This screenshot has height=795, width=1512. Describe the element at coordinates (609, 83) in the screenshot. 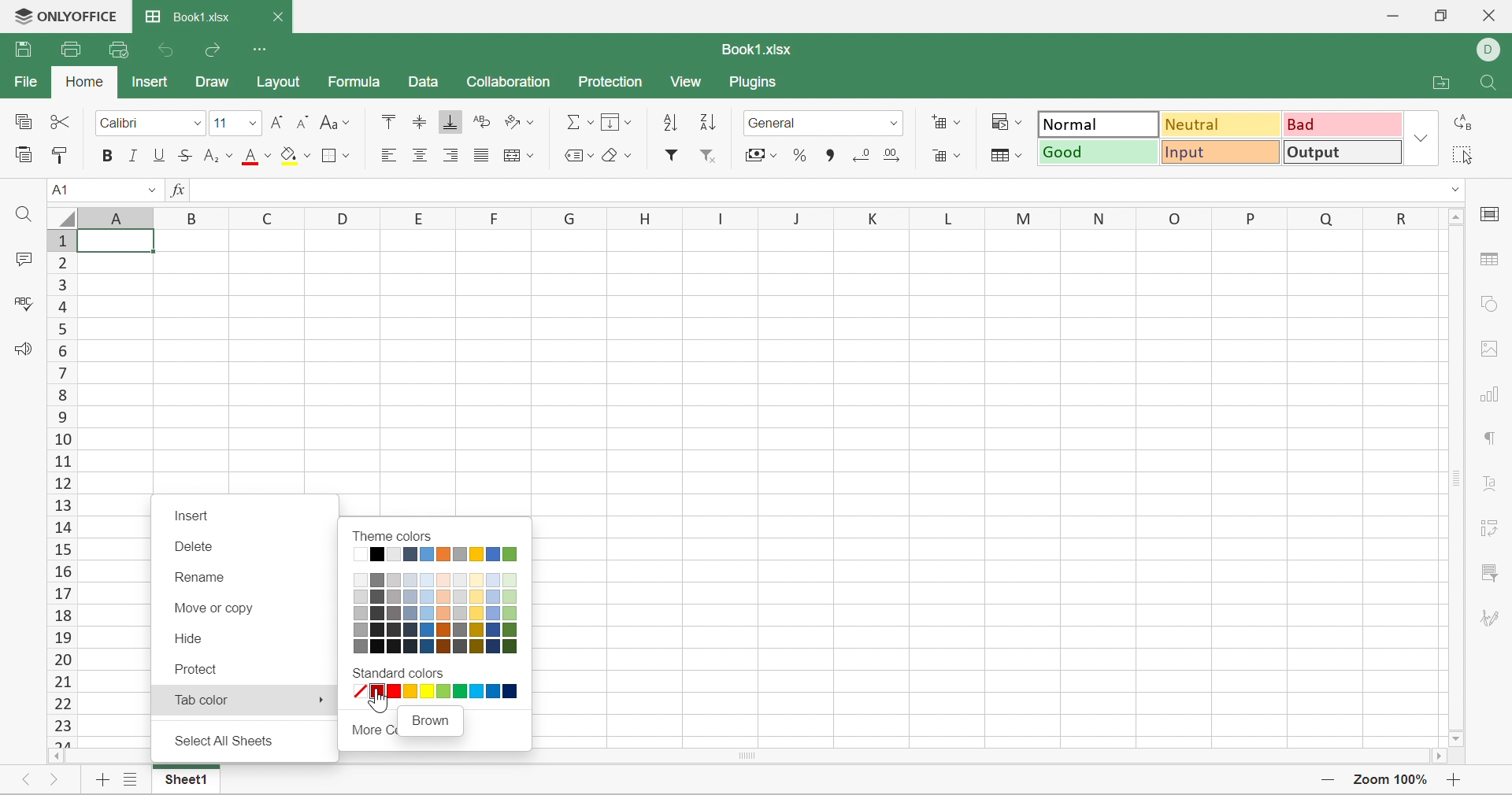

I see `Protection` at that location.